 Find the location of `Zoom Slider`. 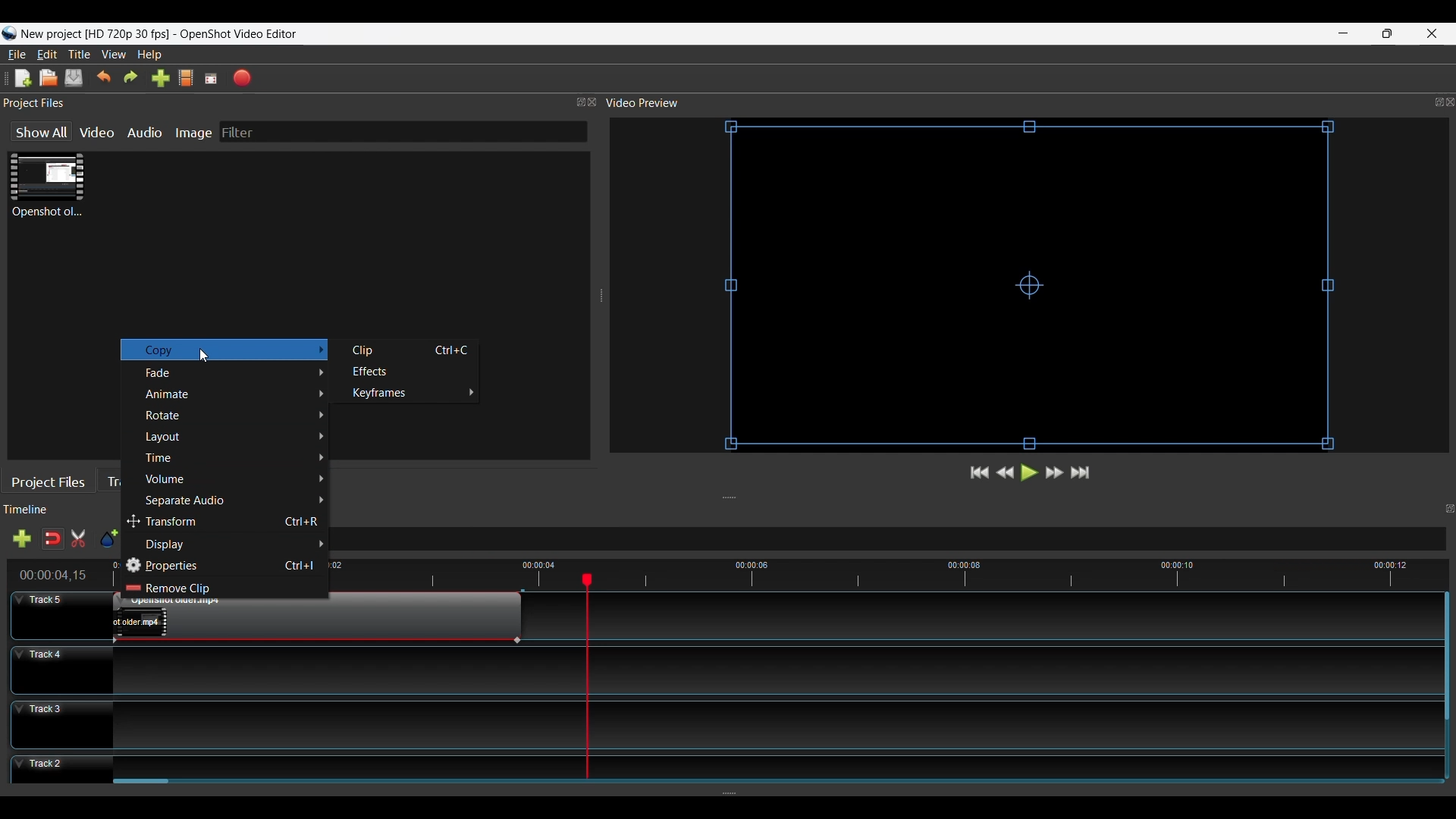

Zoom Slider is located at coordinates (894, 540).